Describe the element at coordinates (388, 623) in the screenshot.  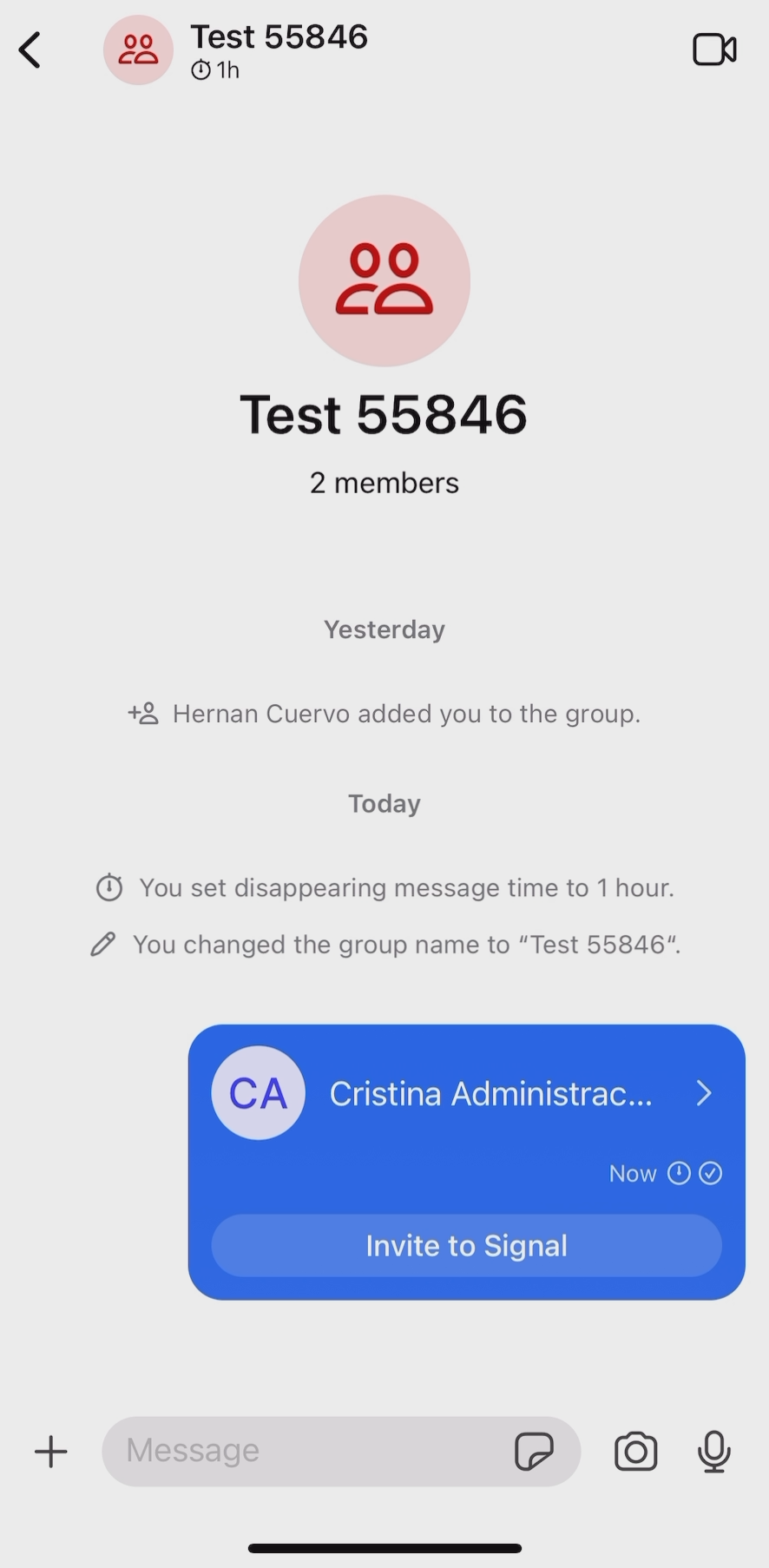
I see `Yesterday` at that location.